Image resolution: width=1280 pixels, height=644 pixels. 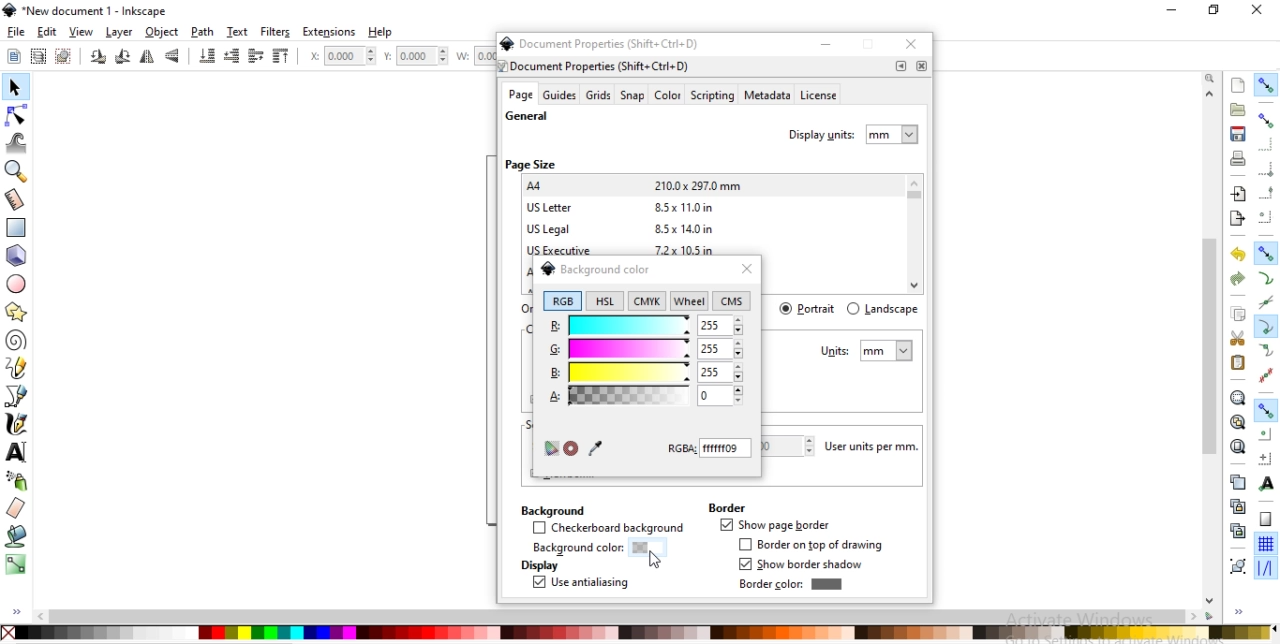 What do you see at coordinates (1266, 569) in the screenshot?
I see `snap guide` at bounding box center [1266, 569].